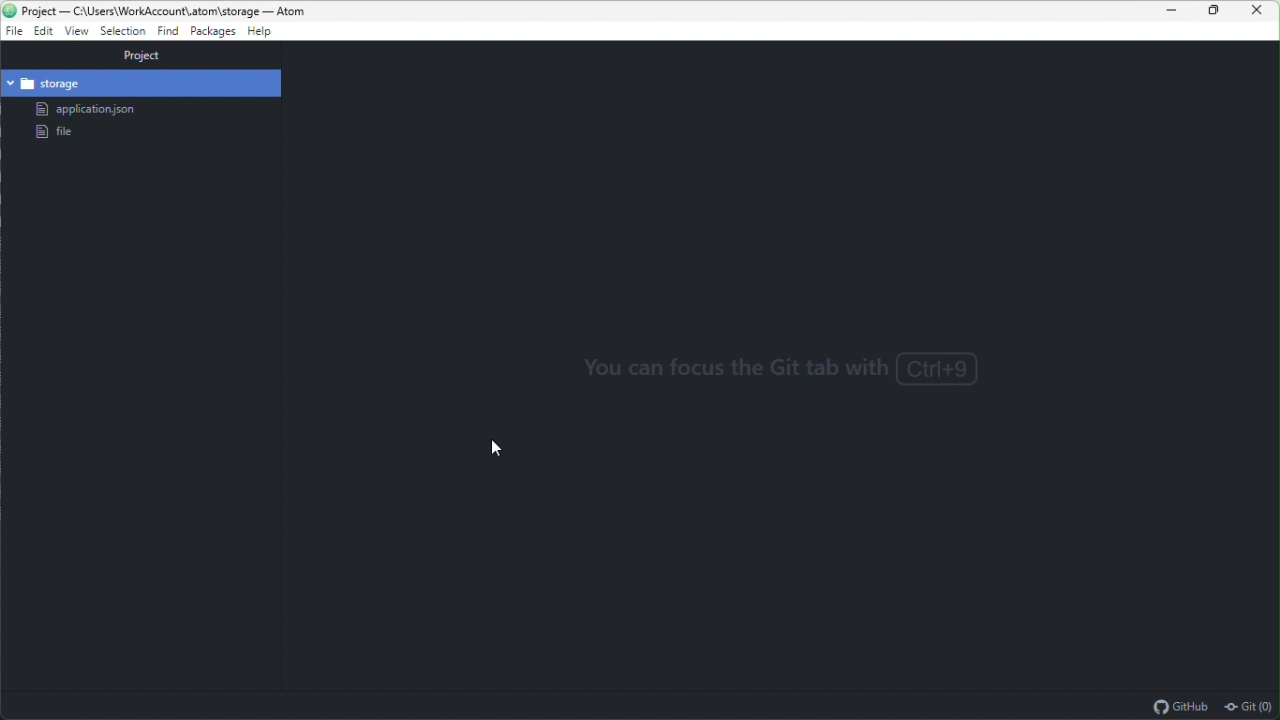 The image size is (1280, 720). Describe the element at coordinates (140, 55) in the screenshot. I see `Project` at that location.